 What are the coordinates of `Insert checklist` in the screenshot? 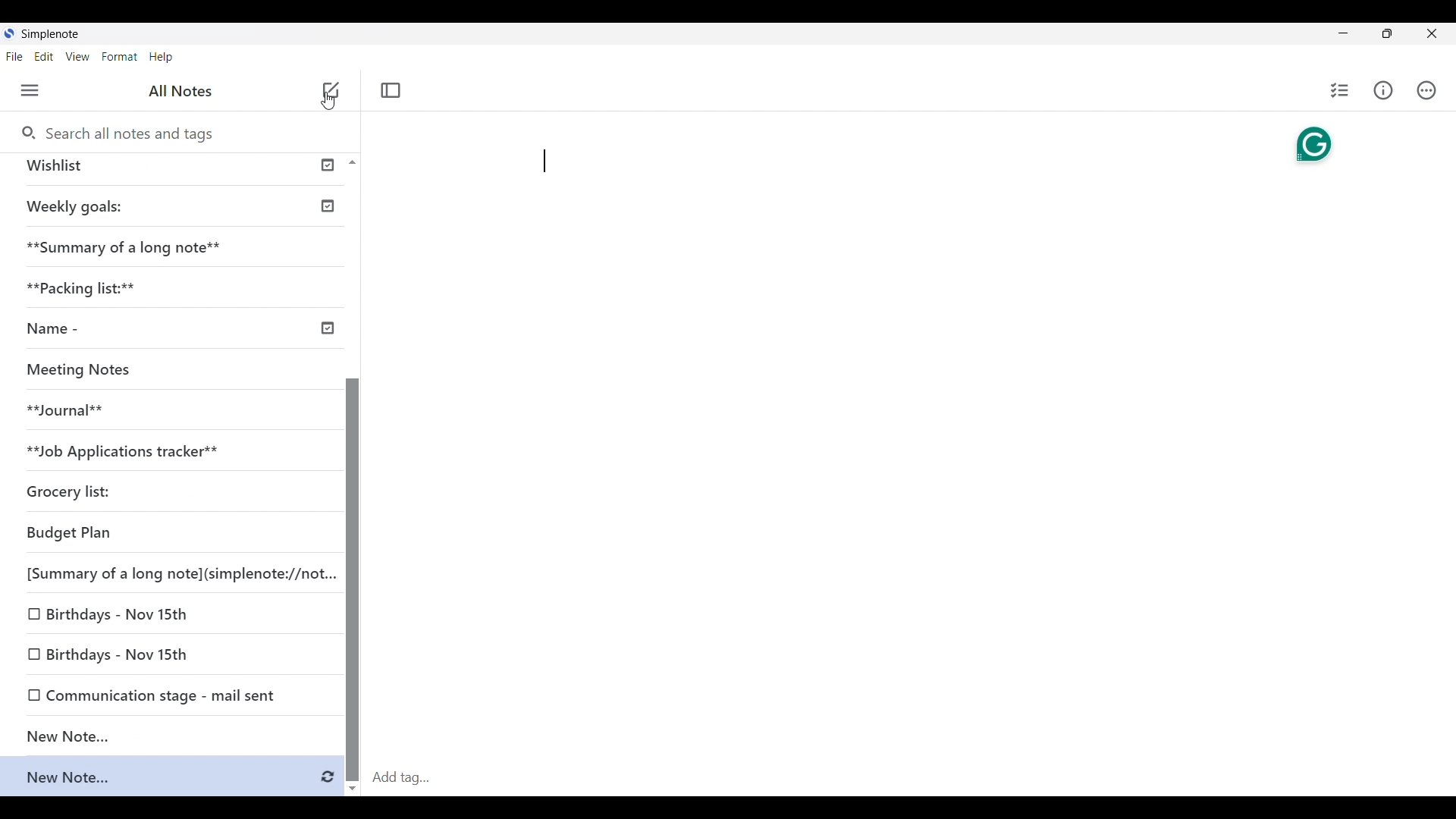 It's located at (1339, 90).